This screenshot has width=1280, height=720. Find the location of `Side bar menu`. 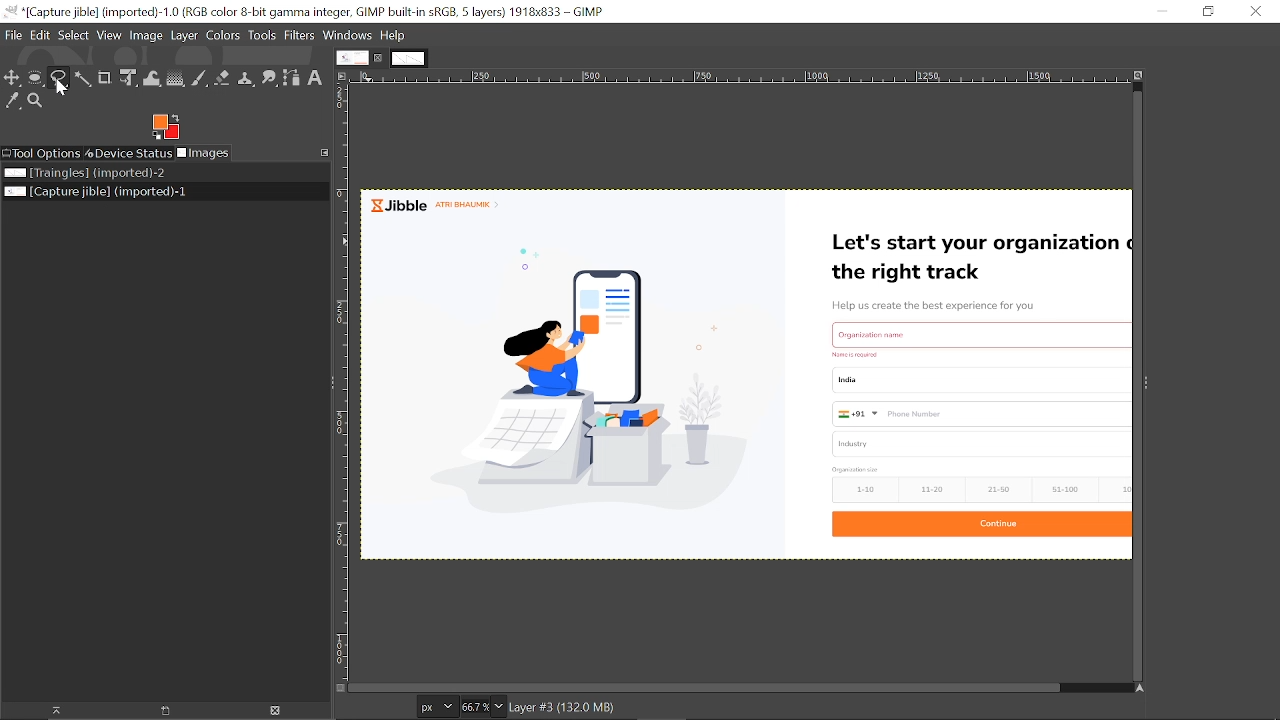

Side bar menu is located at coordinates (1147, 390).